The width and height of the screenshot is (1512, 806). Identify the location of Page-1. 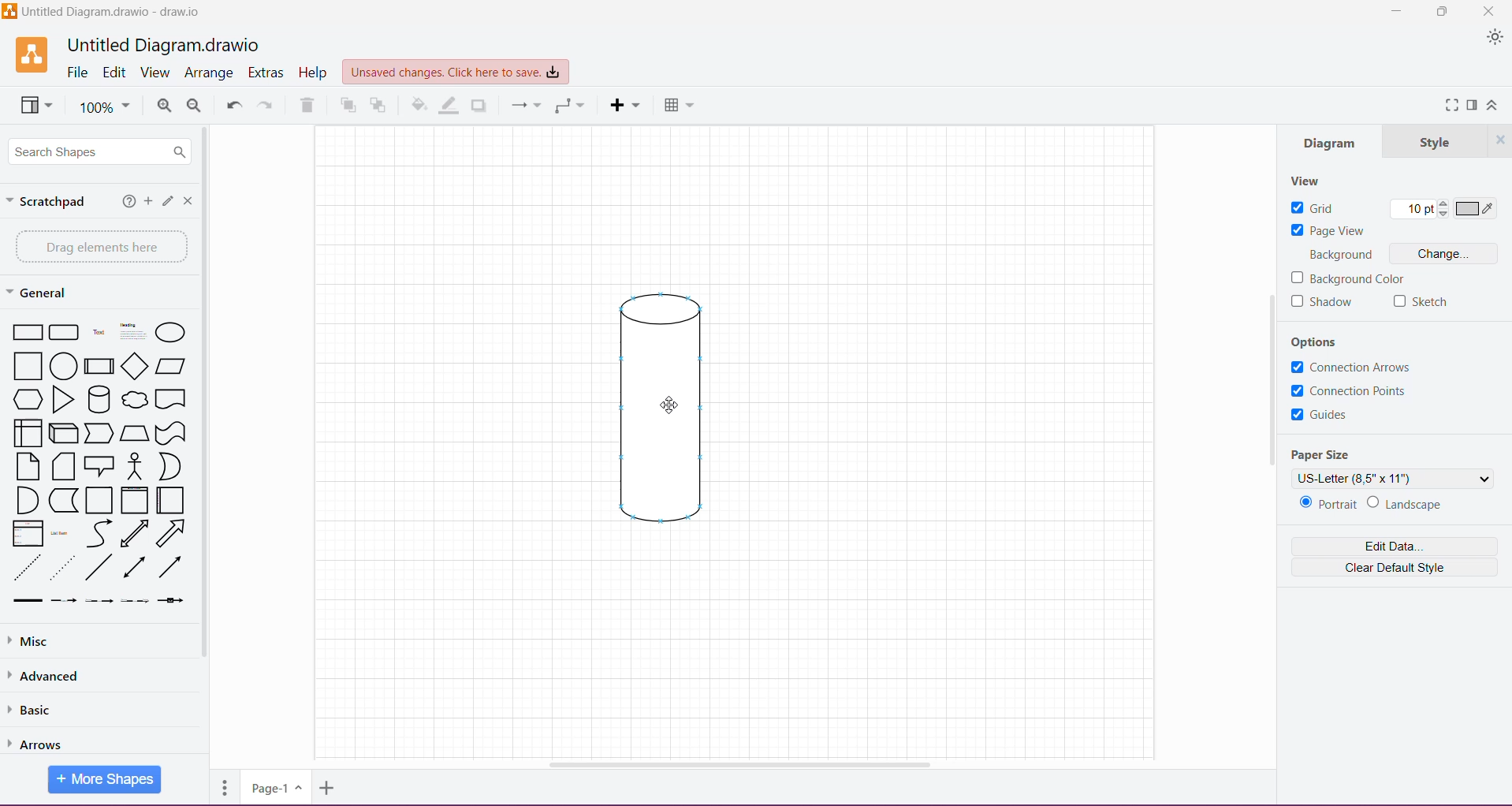
(274, 788).